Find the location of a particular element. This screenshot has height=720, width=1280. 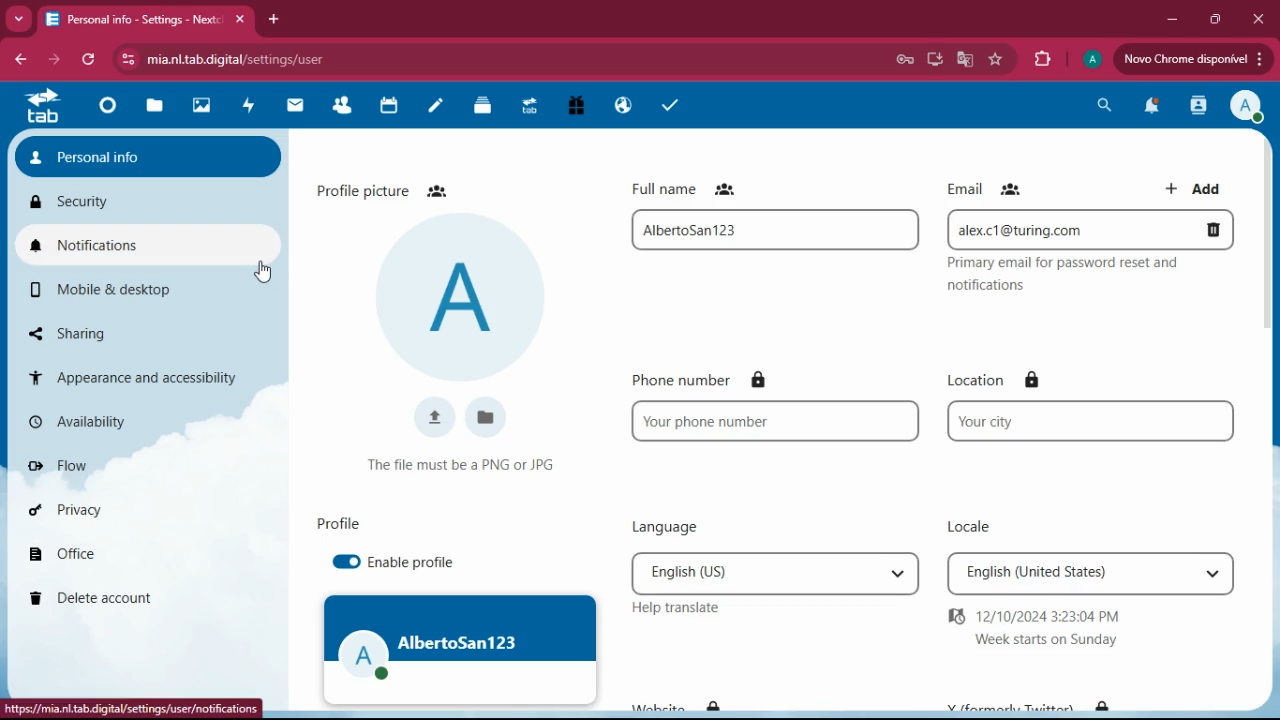

email is located at coordinates (1092, 229).